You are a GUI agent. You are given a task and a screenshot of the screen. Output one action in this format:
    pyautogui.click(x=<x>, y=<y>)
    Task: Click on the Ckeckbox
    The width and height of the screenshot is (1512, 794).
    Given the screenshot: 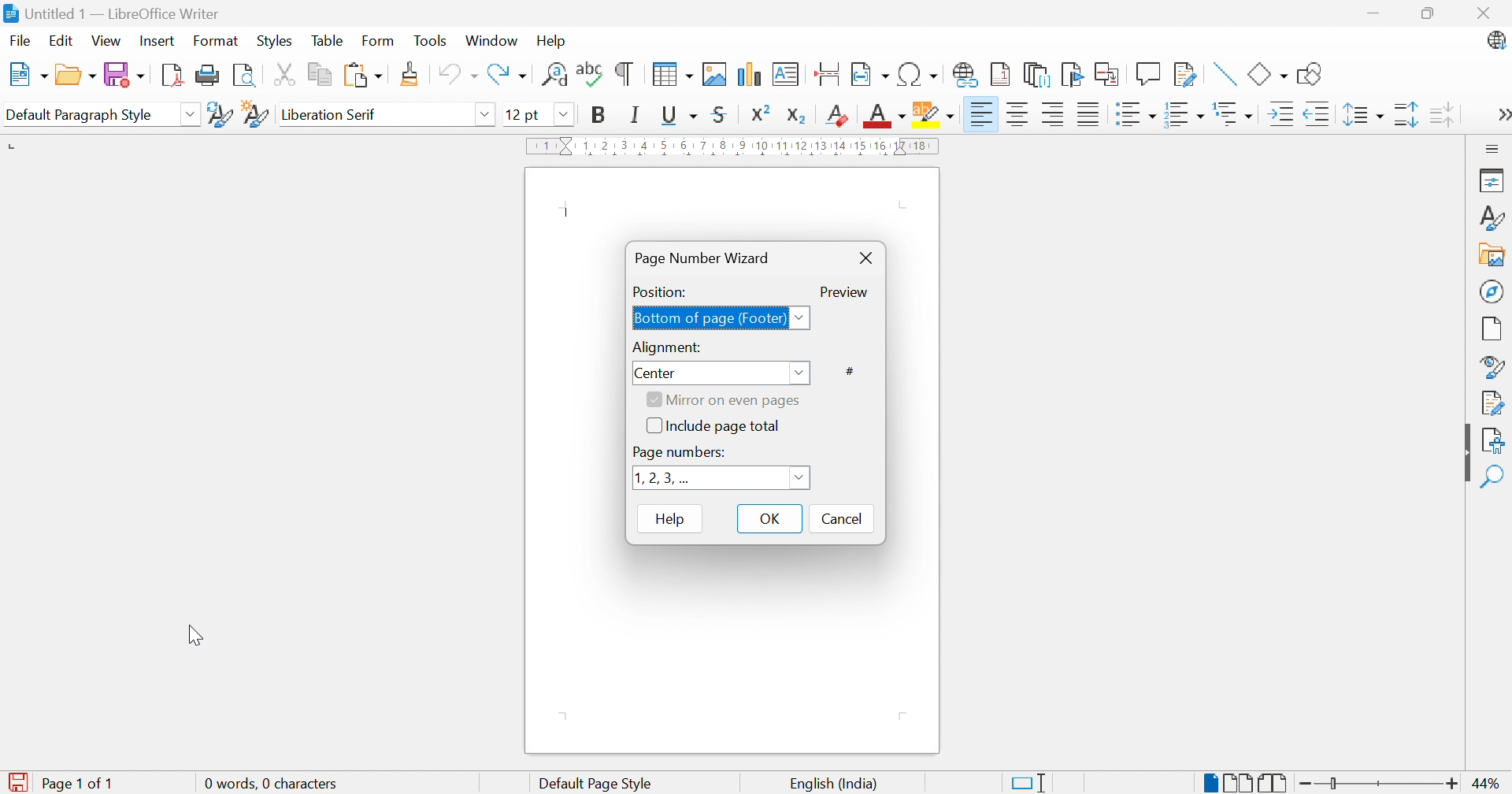 What is the action you would take?
    pyautogui.click(x=653, y=400)
    